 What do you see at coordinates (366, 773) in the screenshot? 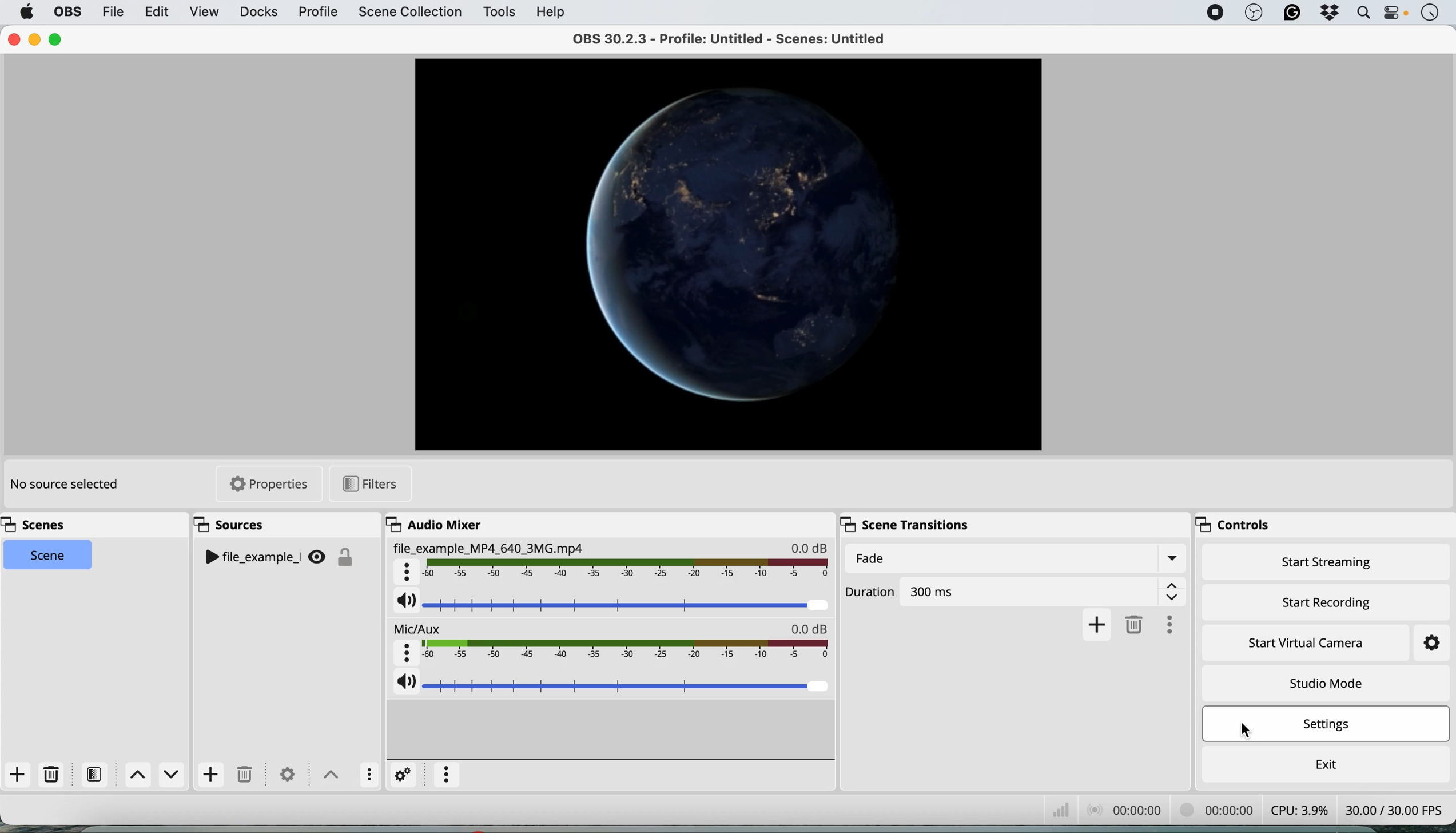
I see `more options` at bounding box center [366, 773].